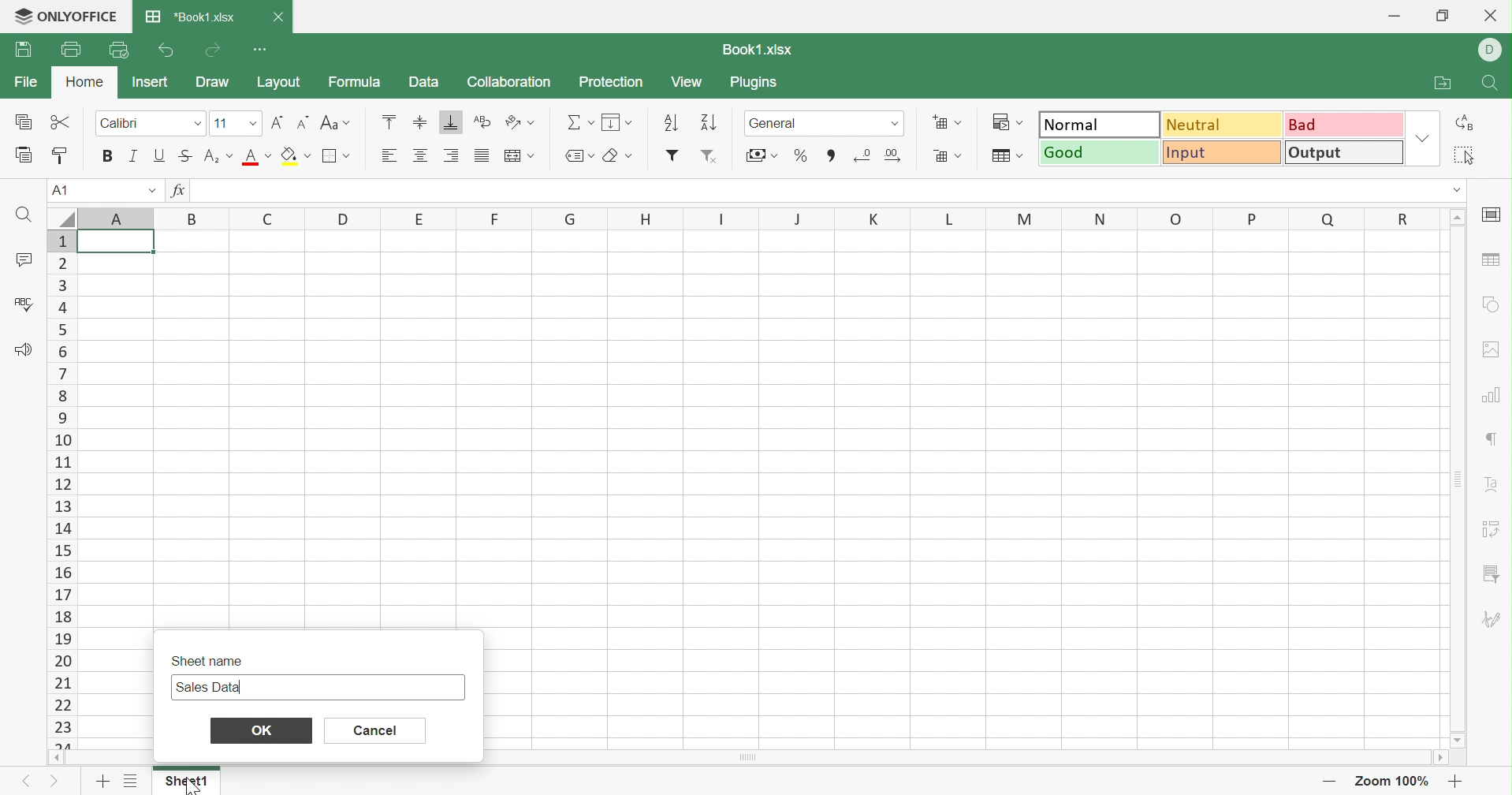 Image resolution: width=1512 pixels, height=795 pixels. What do you see at coordinates (128, 781) in the screenshot?
I see `List of sheets` at bounding box center [128, 781].